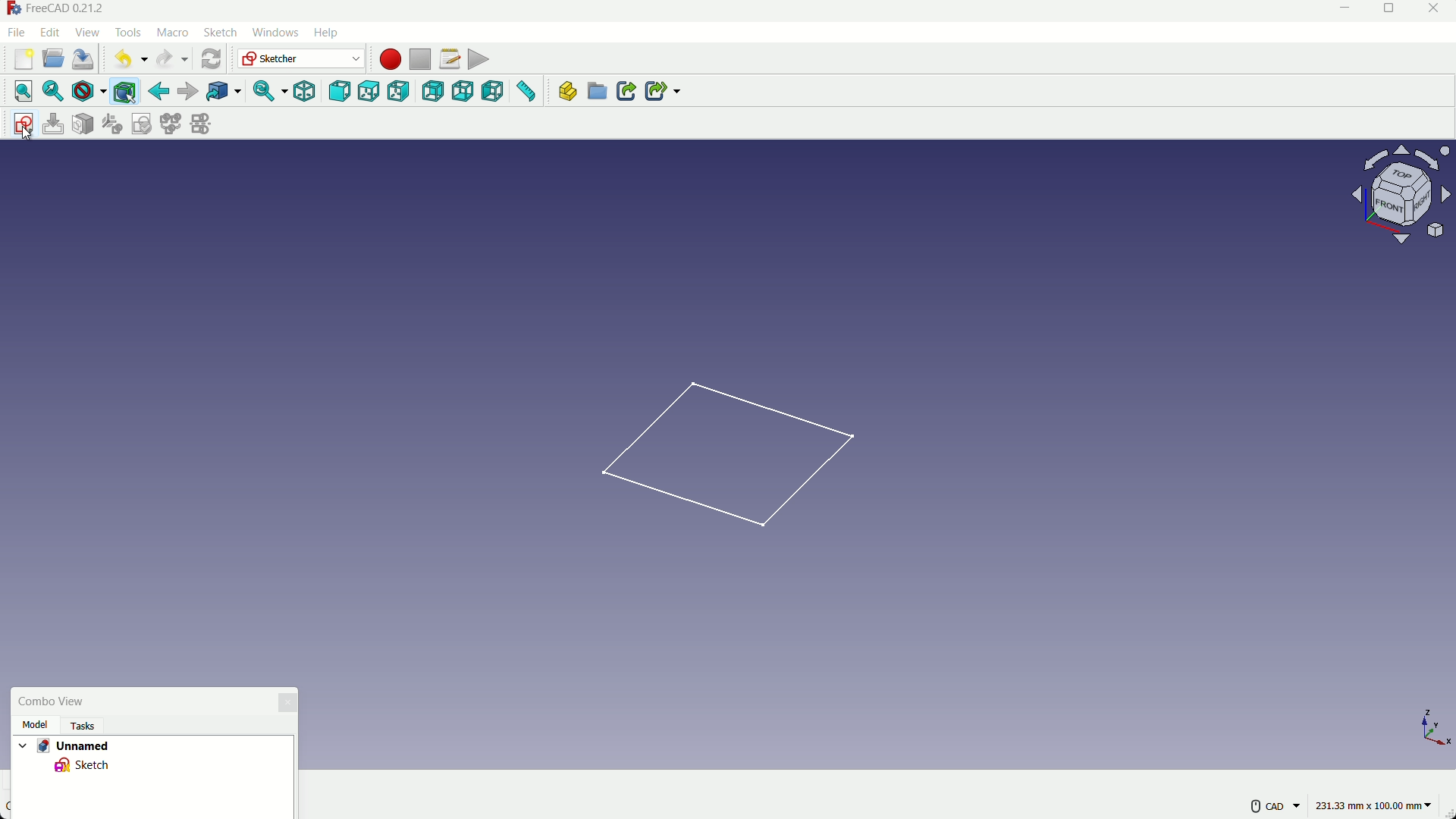 This screenshot has height=819, width=1456. What do you see at coordinates (81, 91) in the screenshot?
I see `draw styles` at bounding box center [81, 91].